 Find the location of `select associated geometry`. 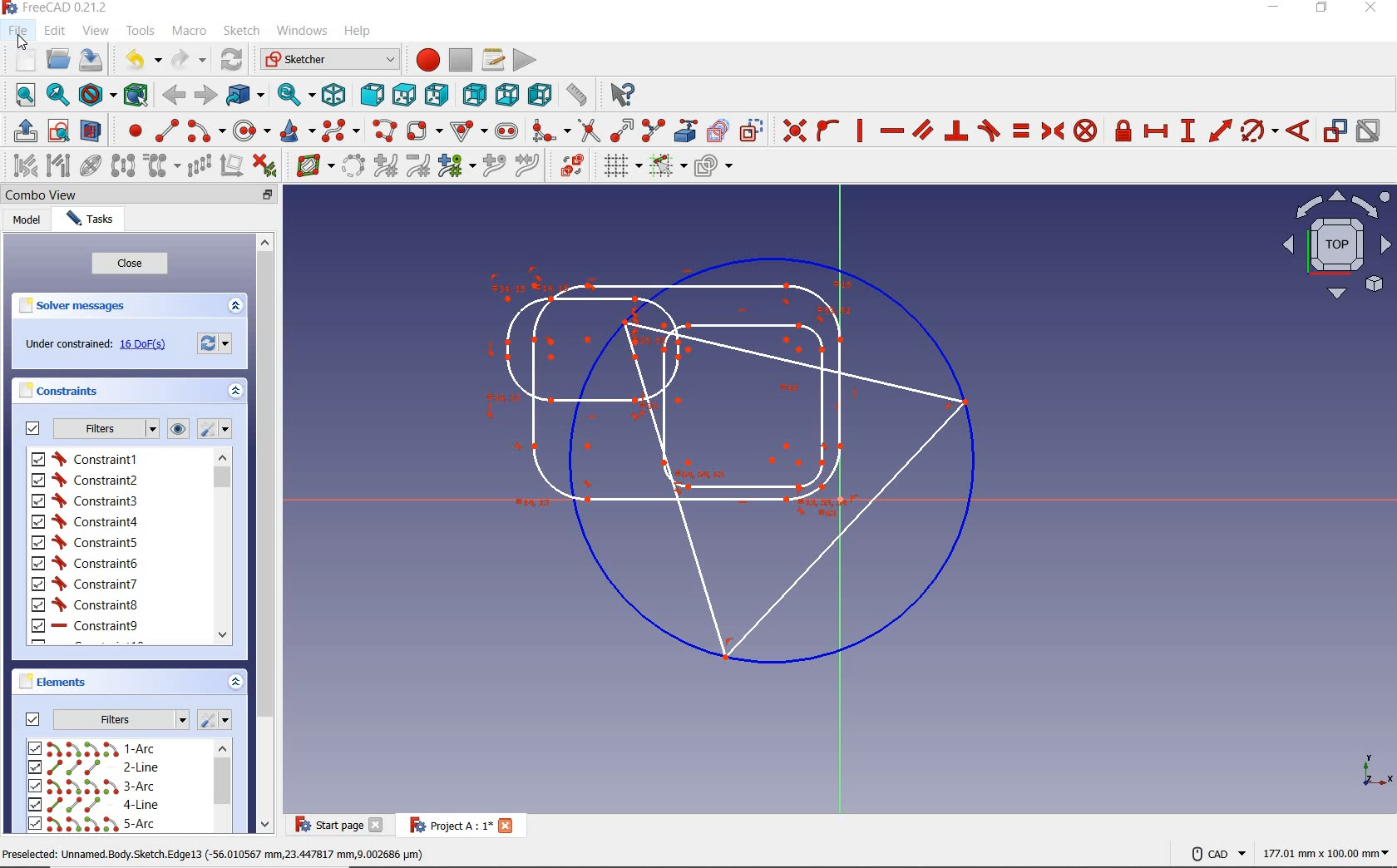

select associated geometry is located at coordinates (59, 165).